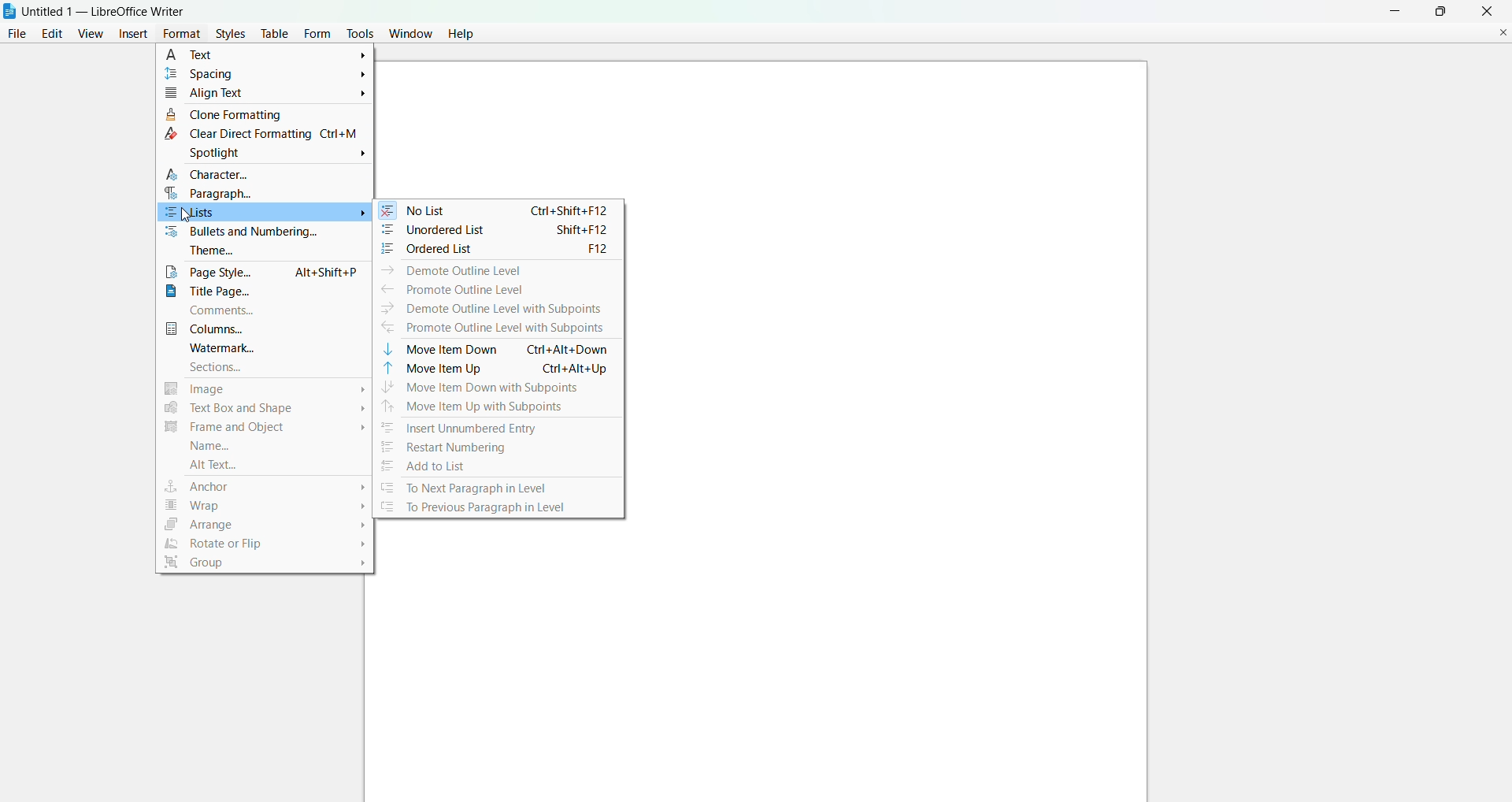  Describe the element at coordinates (491, 310) in the screenshot. I see `demote outline level with subpoints` at that location.